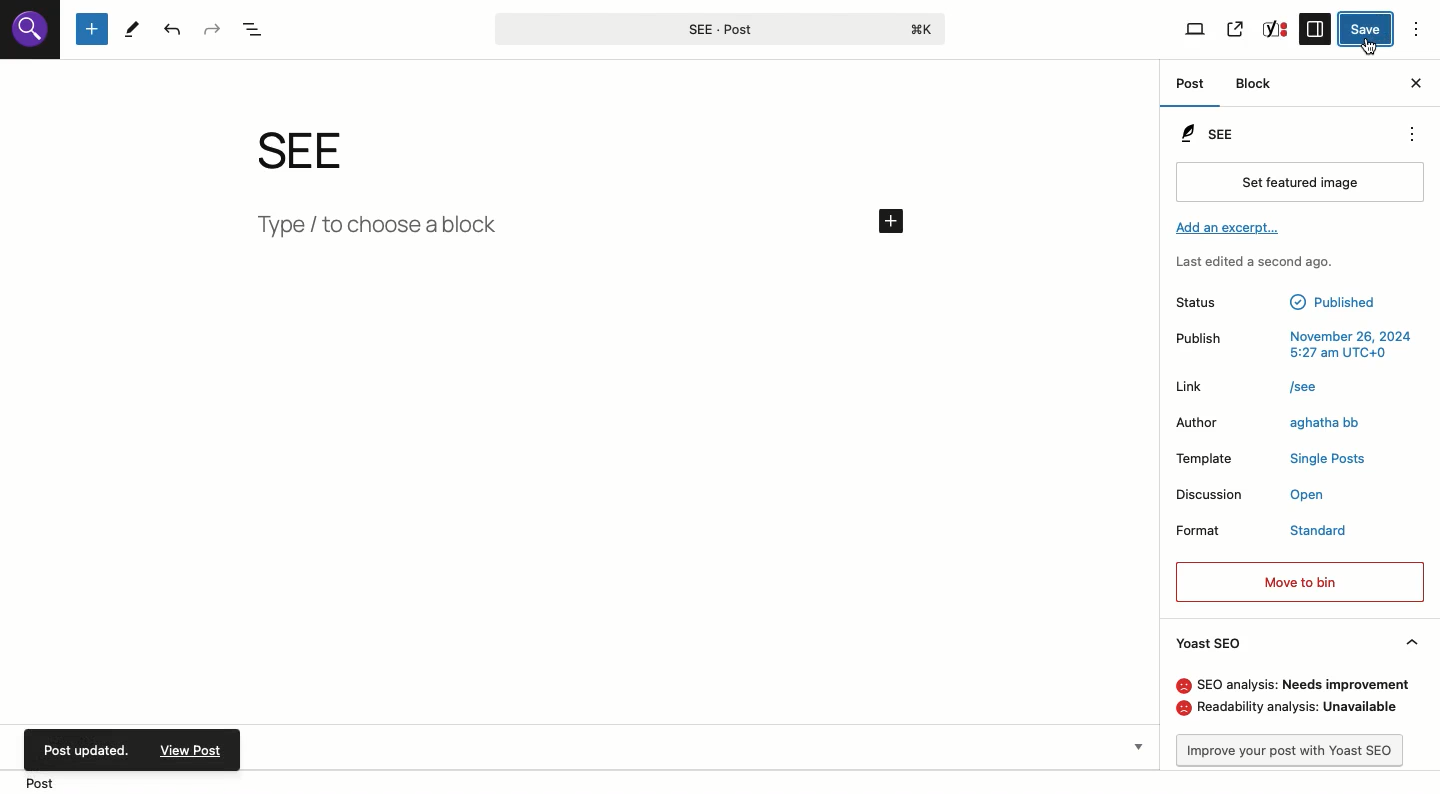  I want to click on Location , so click(43, 782).